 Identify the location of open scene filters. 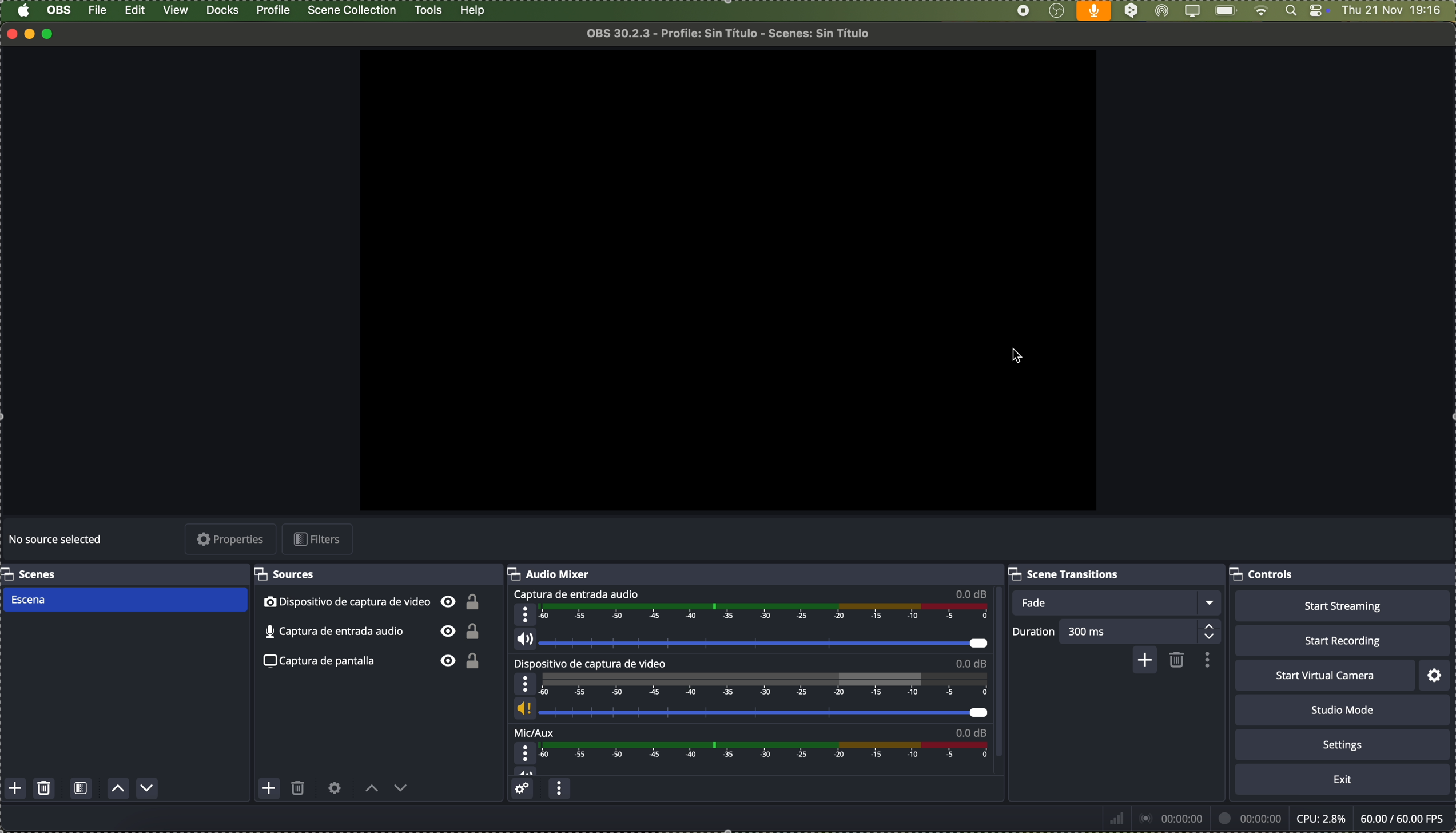
(81, 790).